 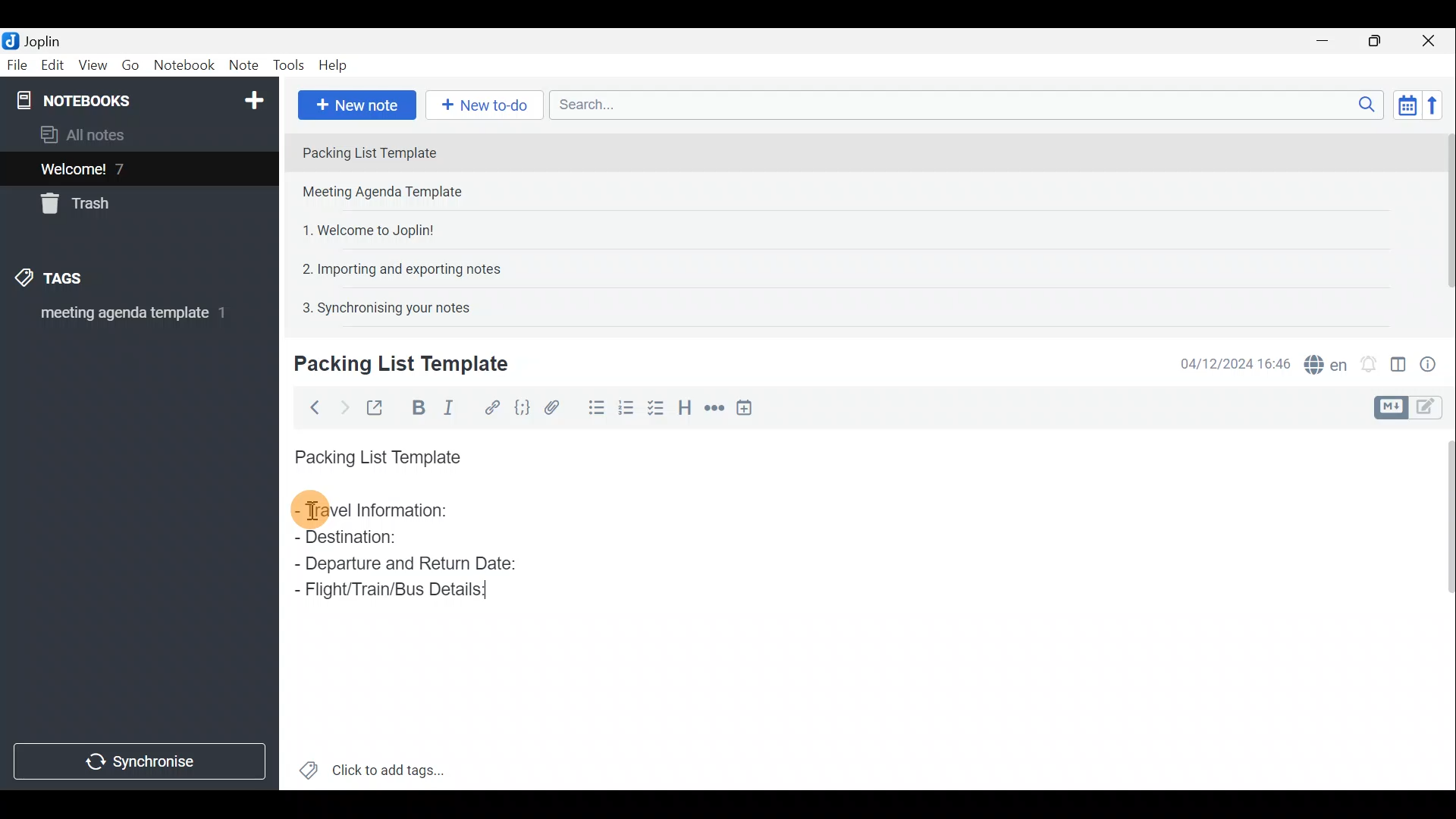 I want to click on Tools, so click(x=290, y=66).